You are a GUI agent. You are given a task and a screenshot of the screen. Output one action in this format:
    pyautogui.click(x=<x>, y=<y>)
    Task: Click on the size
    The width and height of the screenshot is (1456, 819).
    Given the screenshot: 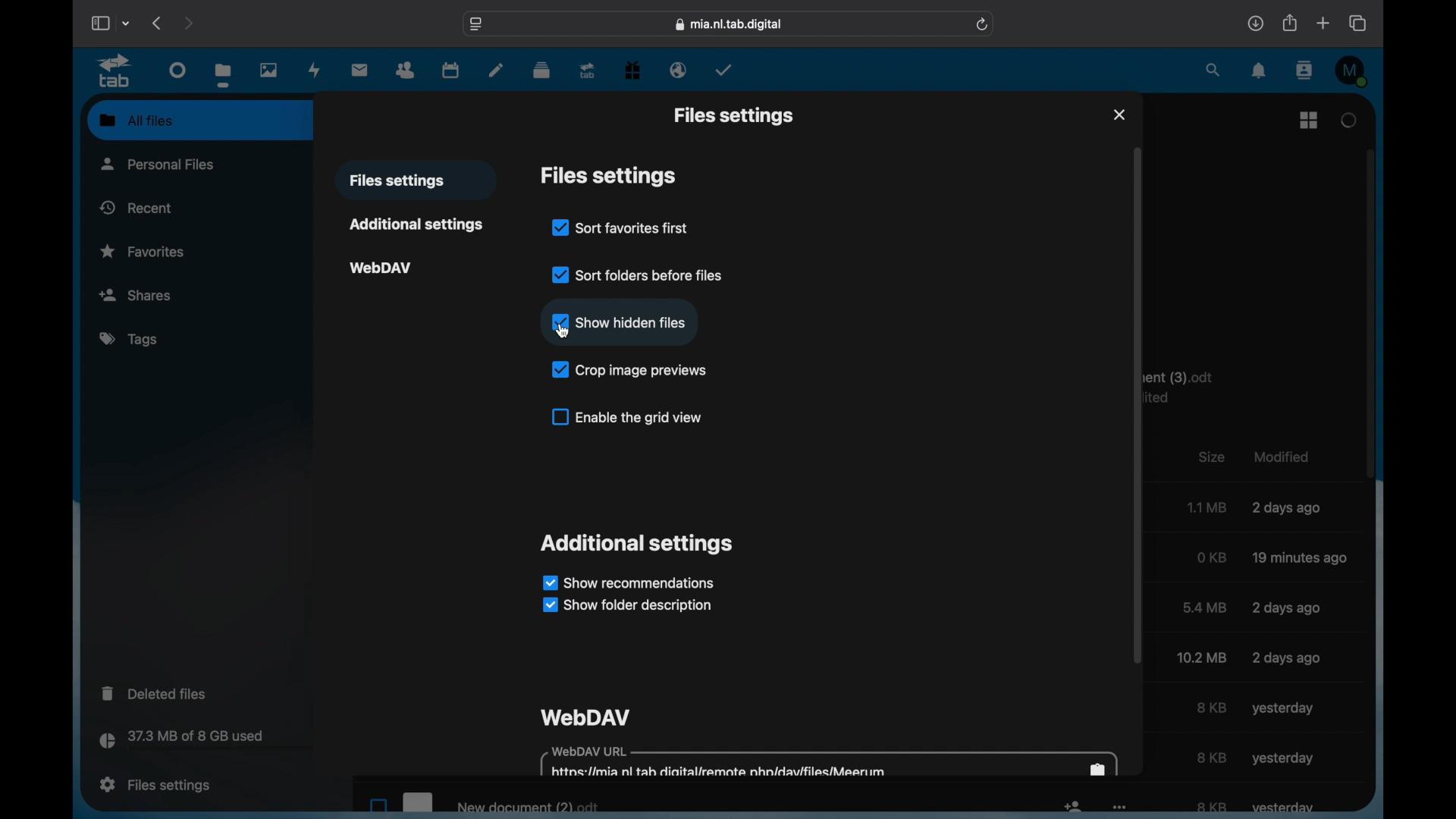 What is the action you would take?
    pyautogui.click(x=1213, y=557)
    